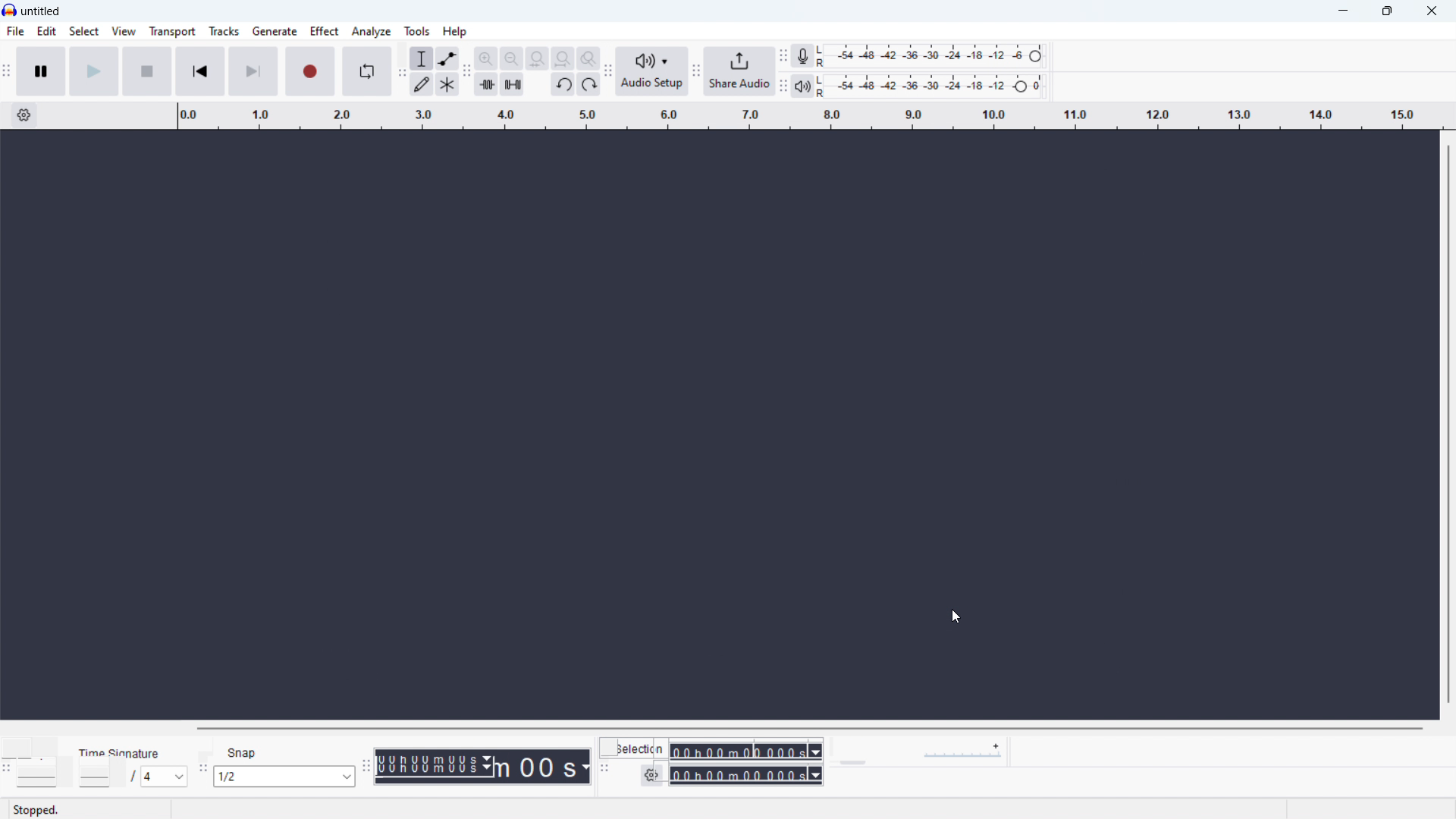 This screenshot has width=1456, height=819. I want to click on draw tool, so click(422, 84).